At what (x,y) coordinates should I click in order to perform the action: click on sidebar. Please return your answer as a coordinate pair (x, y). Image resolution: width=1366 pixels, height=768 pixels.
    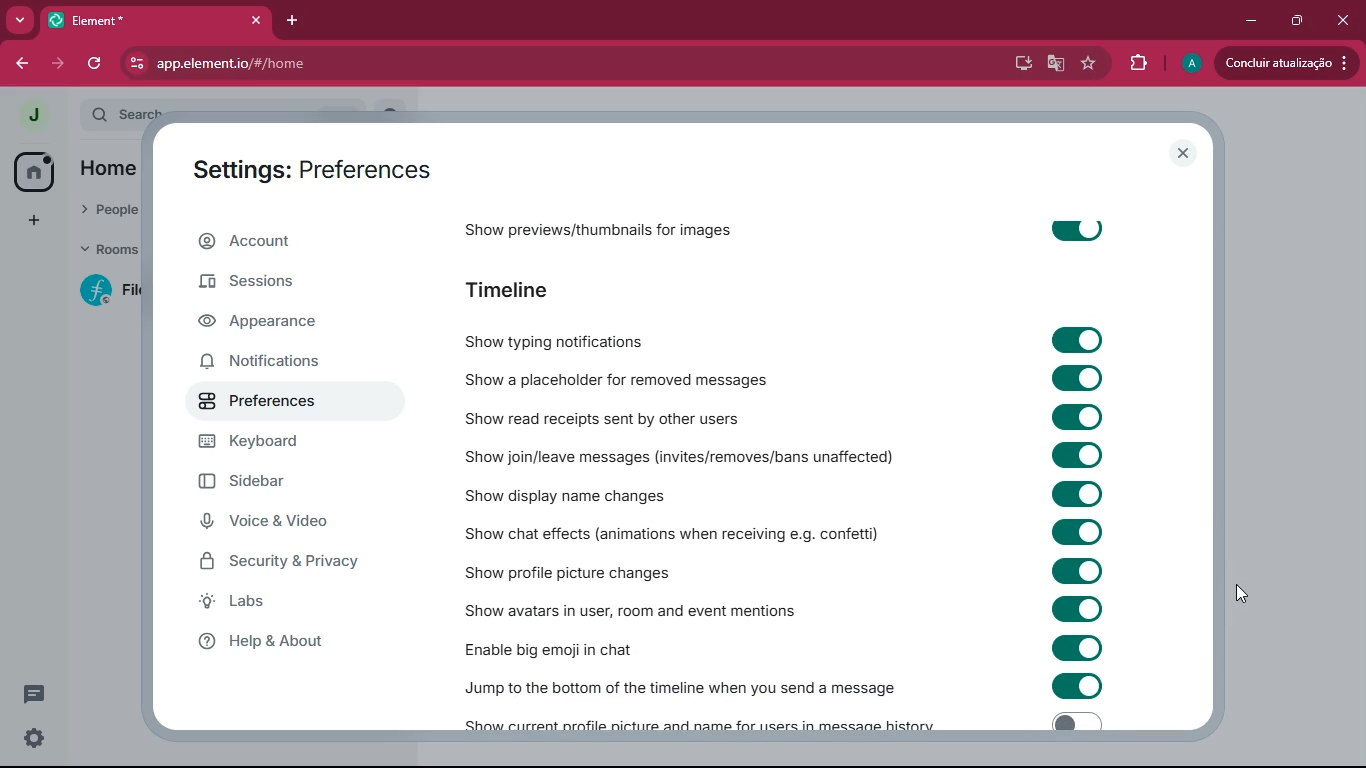
    Looking at the image, I should click on (275, 481).